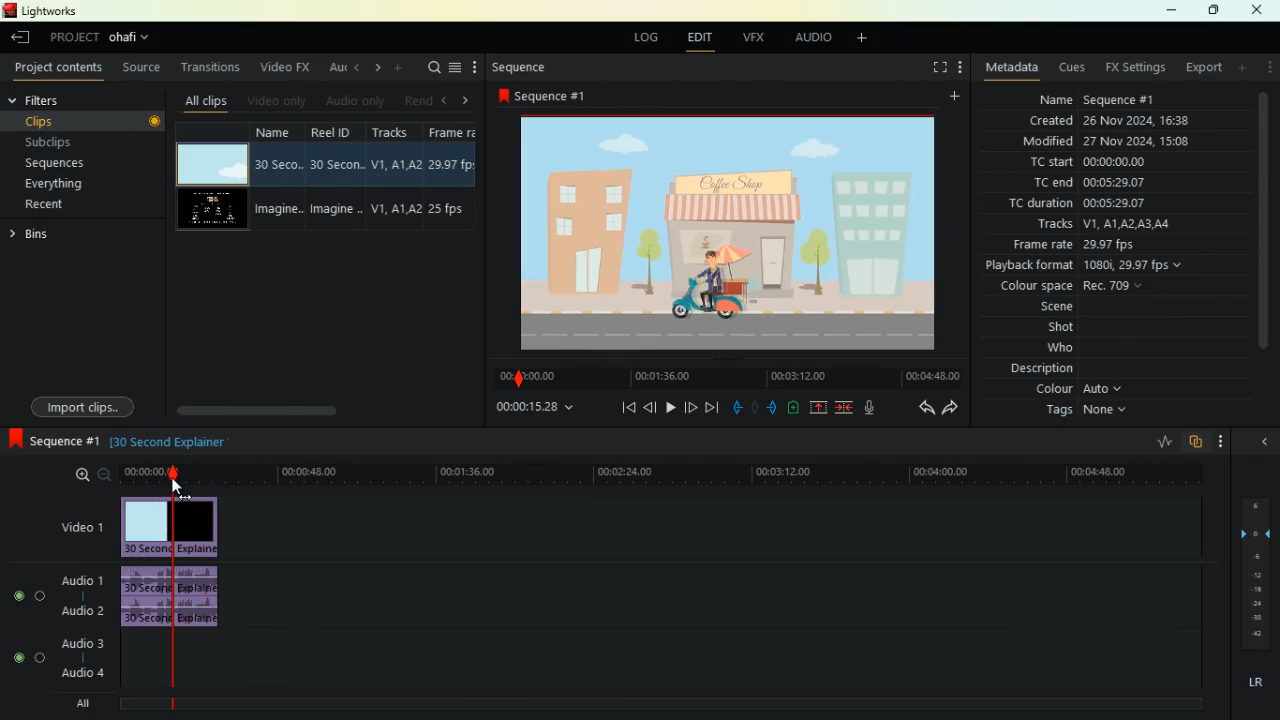 This screenshot has height=720, width=1280. Describe the element at coordinates (1132, 223) in the screenshot. I see `V1, A1LA2 AS AL` at that location.